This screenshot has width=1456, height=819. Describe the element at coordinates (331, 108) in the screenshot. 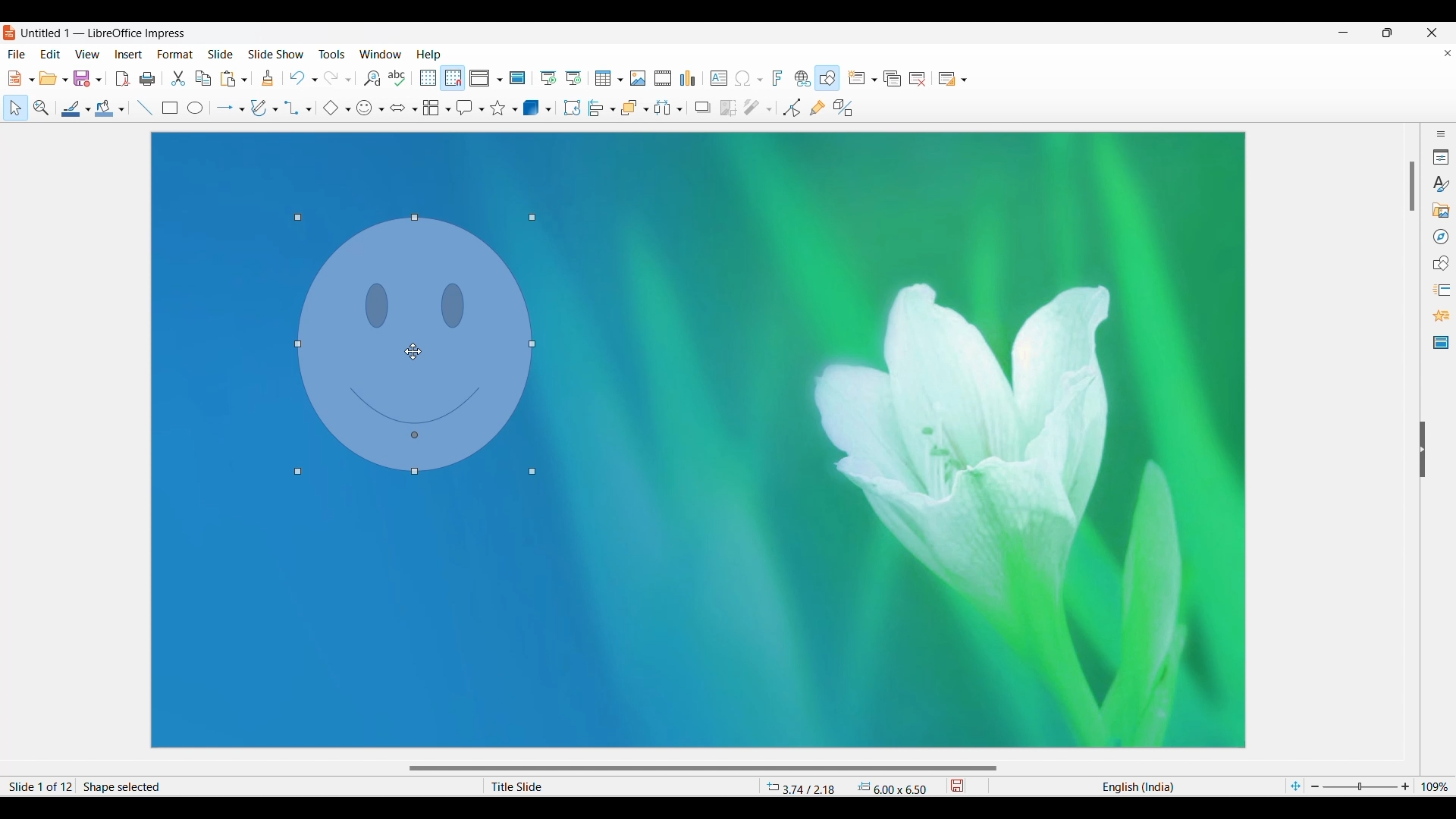

I see `Selected basic shape` at that location.